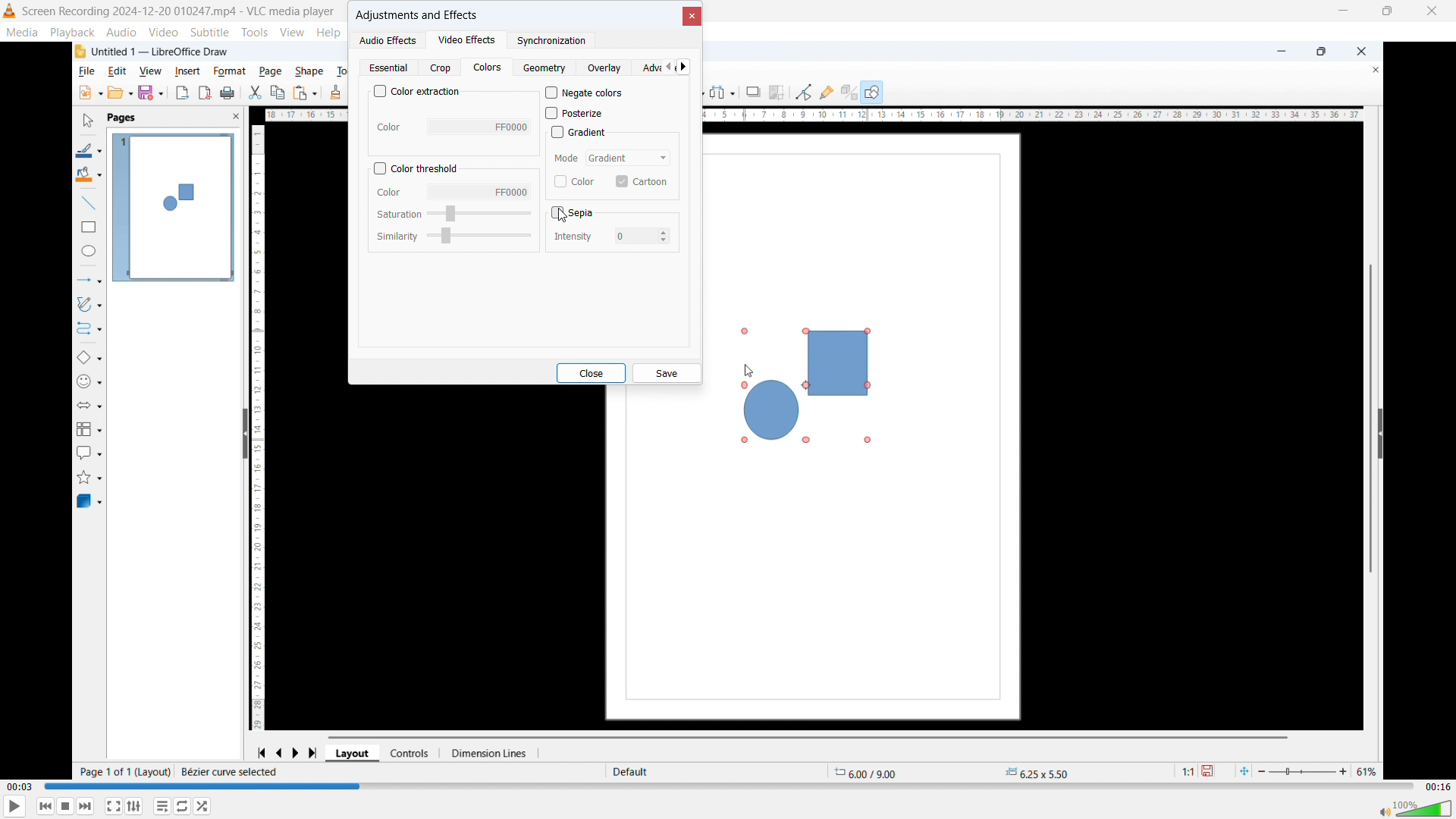 Image resolution: width=1456 pixels, height=819 pixels. Describe the element at coordinates (629, 158) in the screenshot. I see `Select mode ` at that location.